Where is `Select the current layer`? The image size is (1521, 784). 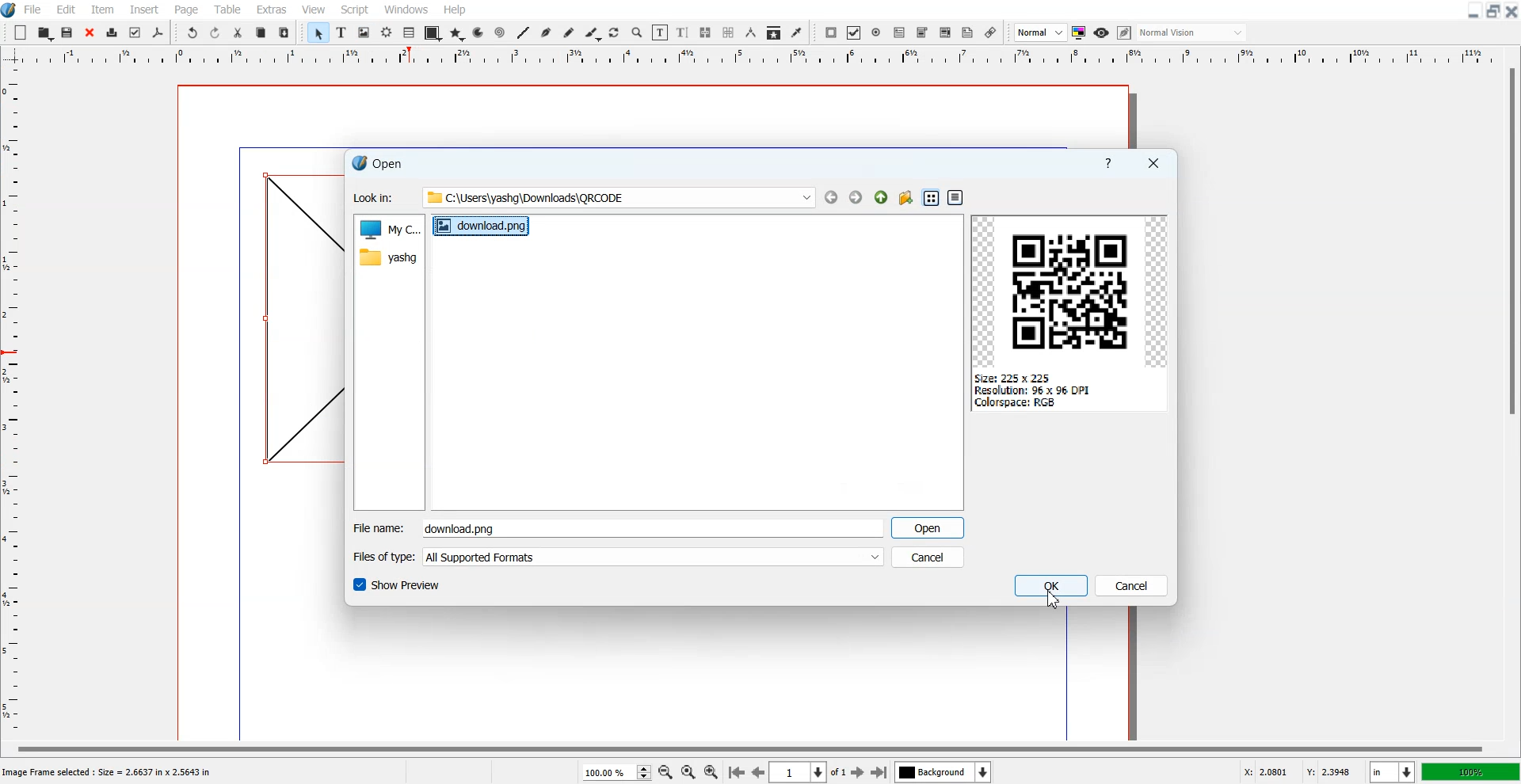
Select the current layer is located at coordinates (943, 771).